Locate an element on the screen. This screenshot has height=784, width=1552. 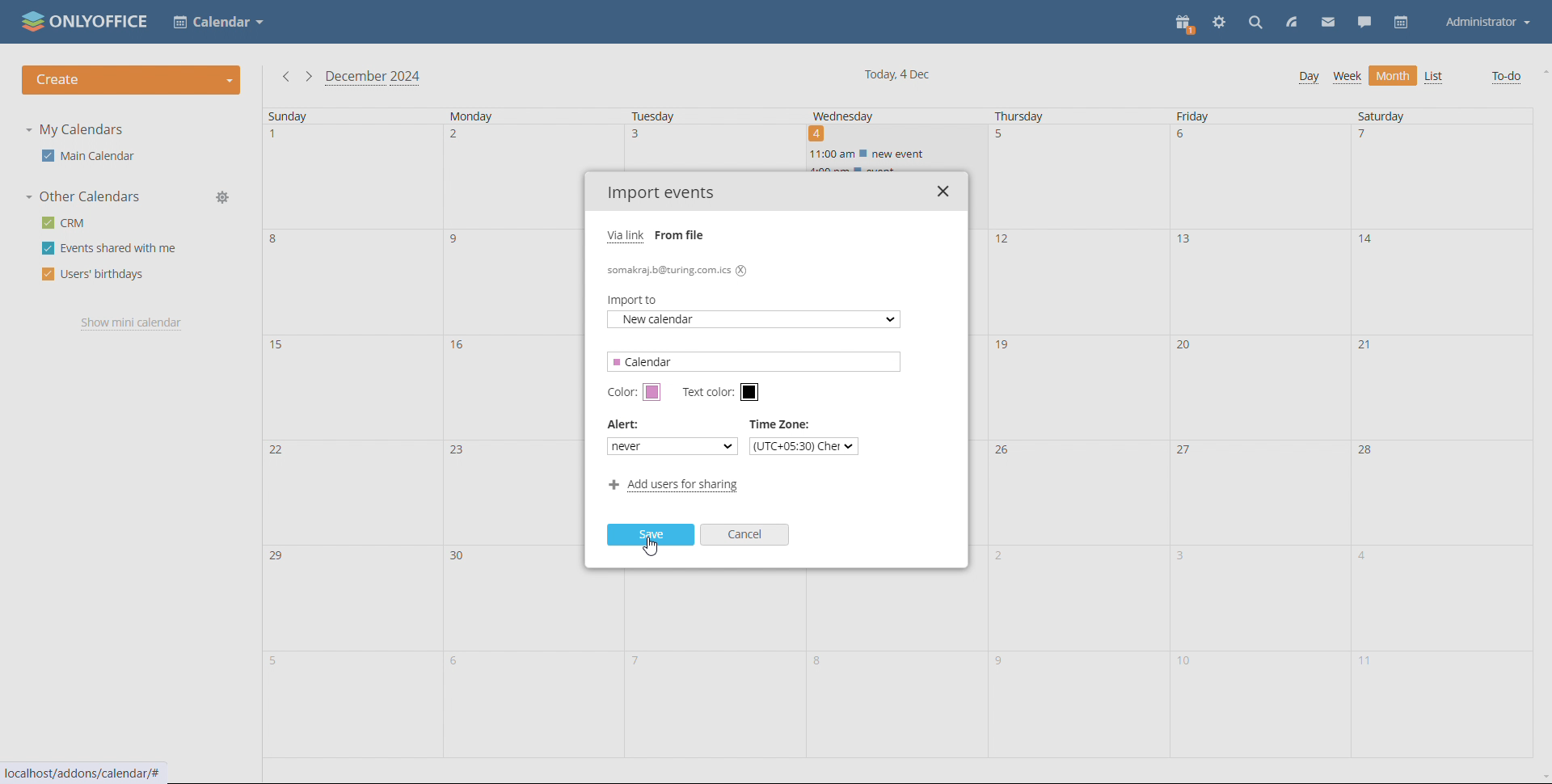
save is located at coordinates (651, 536).